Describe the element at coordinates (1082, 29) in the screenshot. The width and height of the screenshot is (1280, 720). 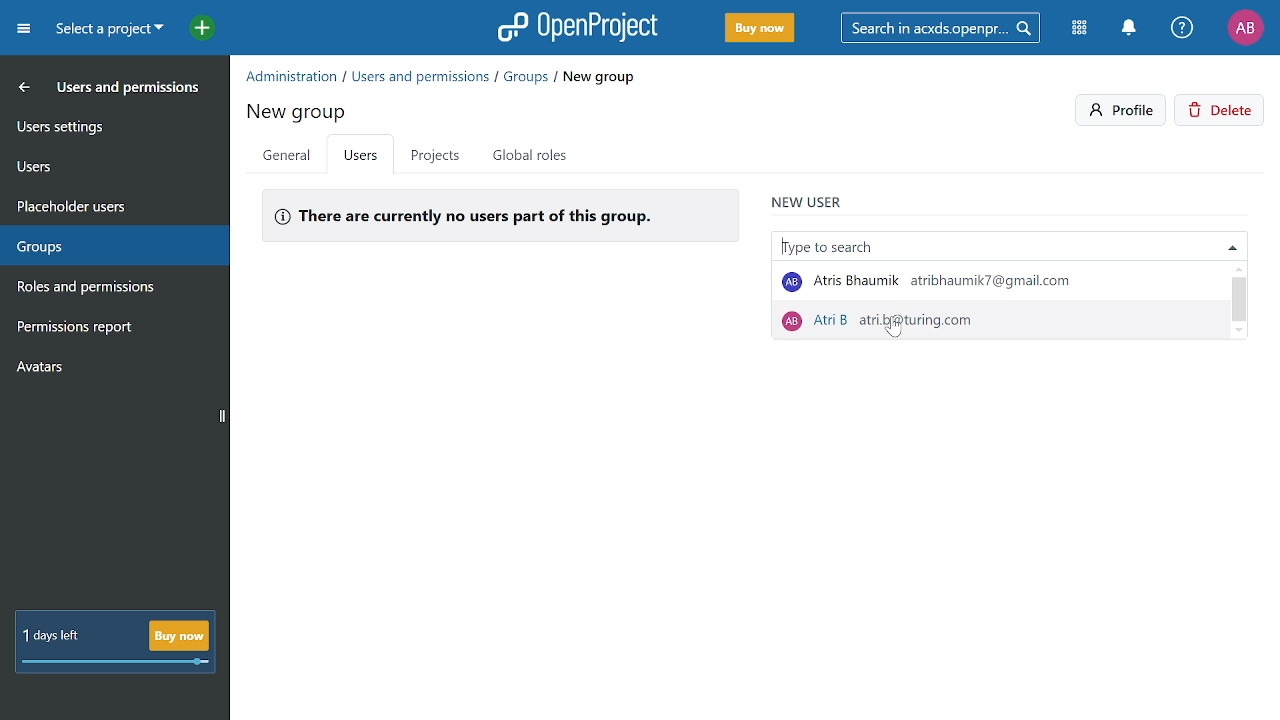
I see `Modules` at that location.